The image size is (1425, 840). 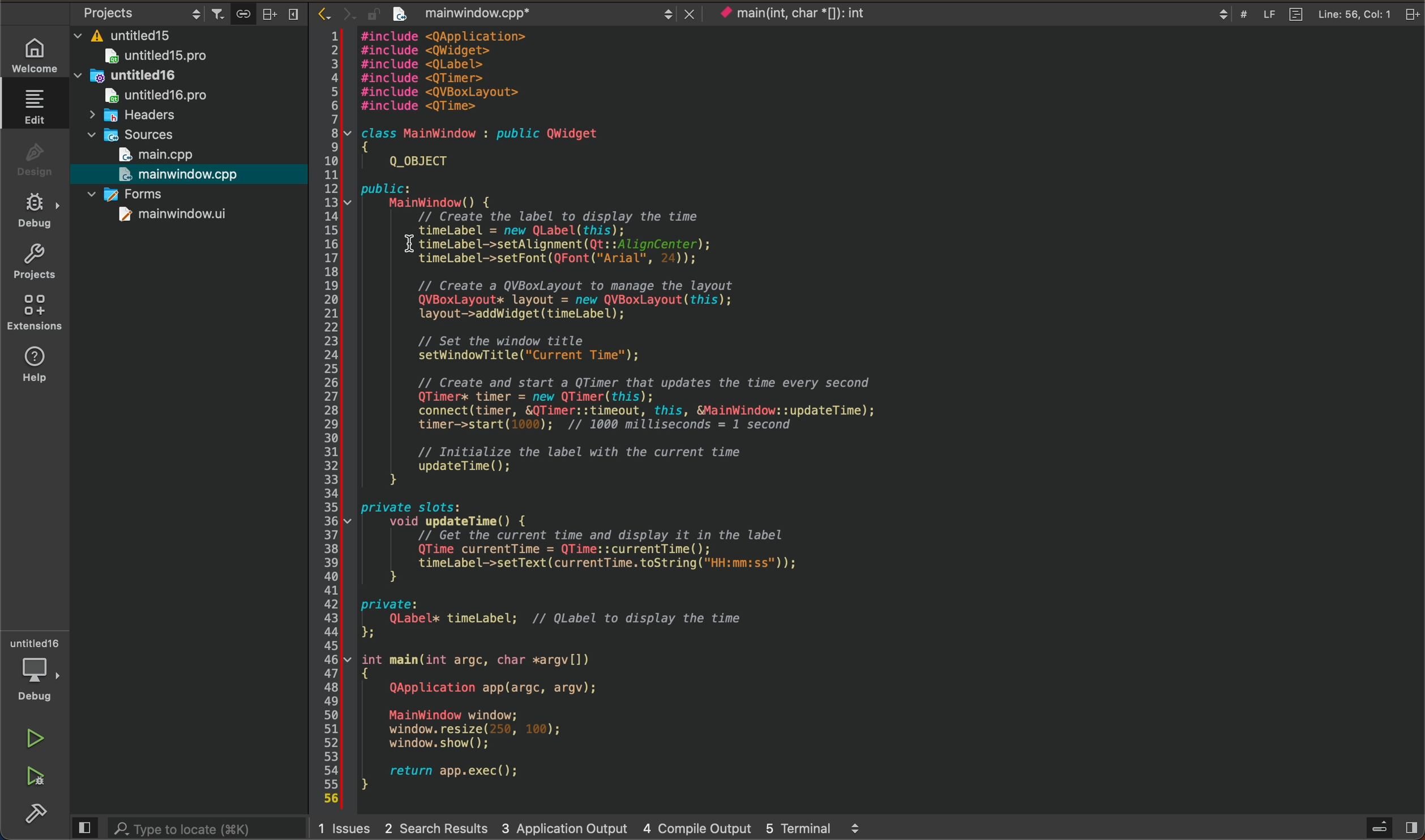 I want to click on Cursor, so click(x=399, y=244).